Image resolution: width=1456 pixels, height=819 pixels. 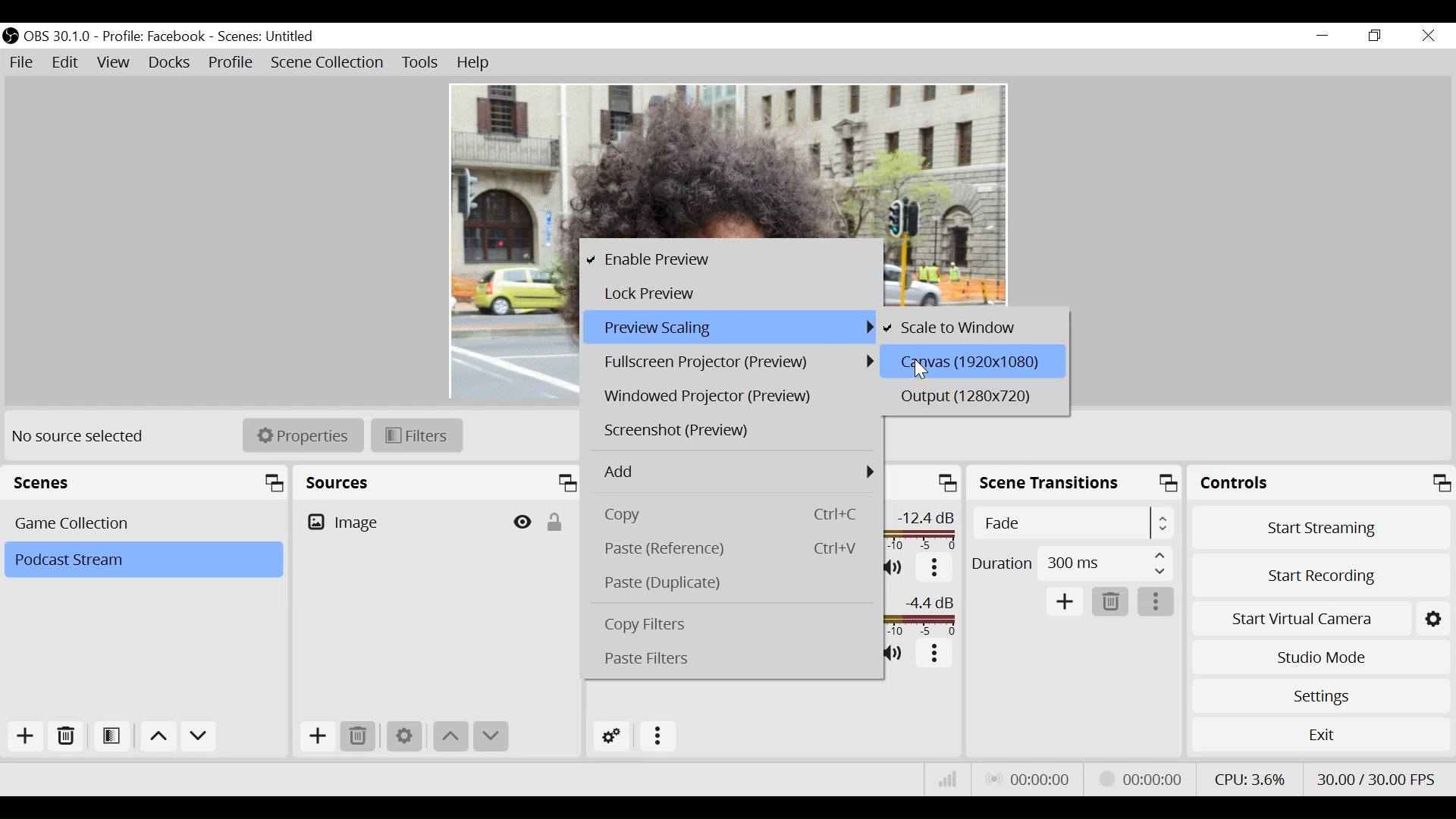 I want to click on Cursor, so click(x=920, y=368).